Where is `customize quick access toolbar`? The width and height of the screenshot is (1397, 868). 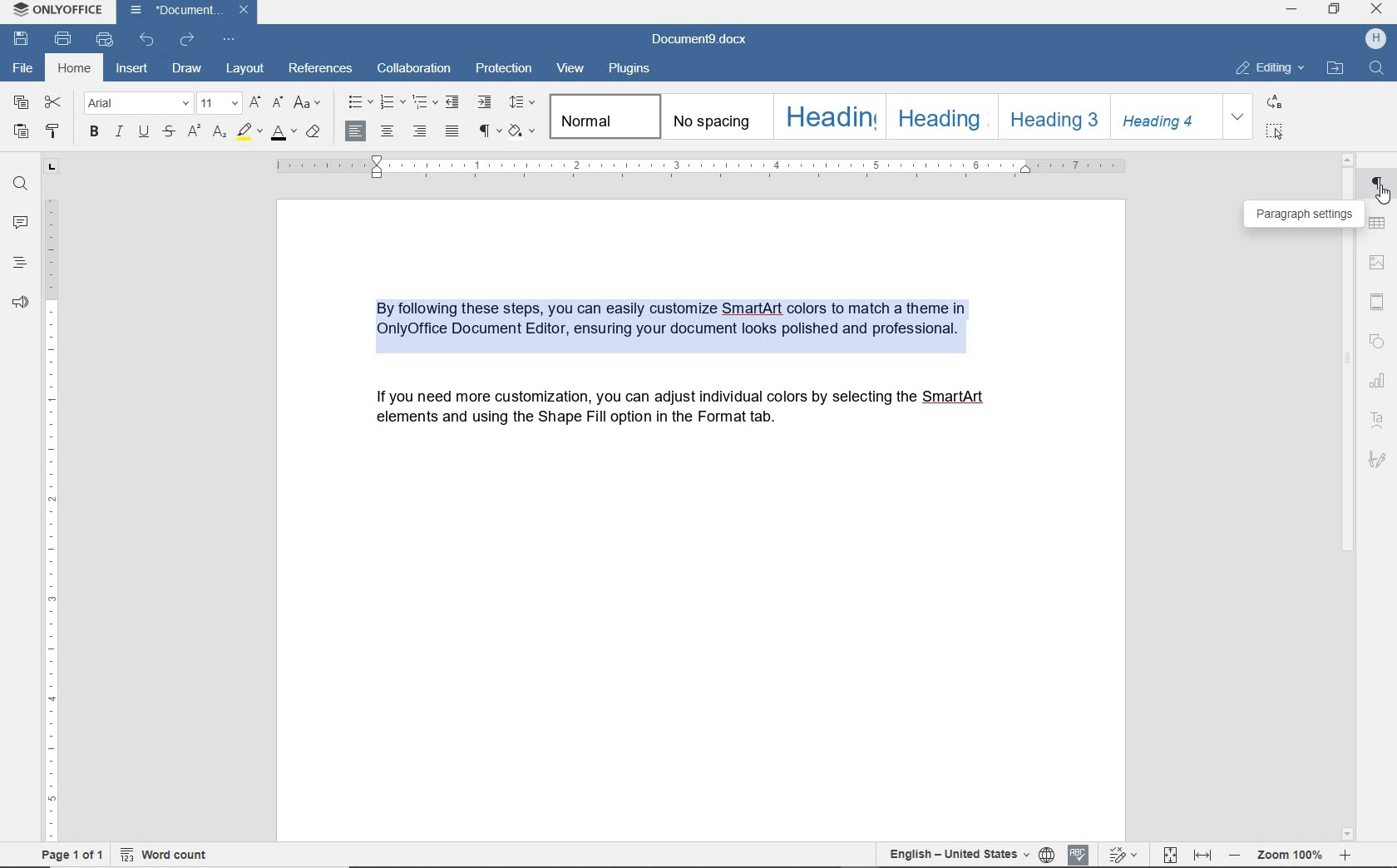 customize quick access toolbar is located at coordinates (229, 39).